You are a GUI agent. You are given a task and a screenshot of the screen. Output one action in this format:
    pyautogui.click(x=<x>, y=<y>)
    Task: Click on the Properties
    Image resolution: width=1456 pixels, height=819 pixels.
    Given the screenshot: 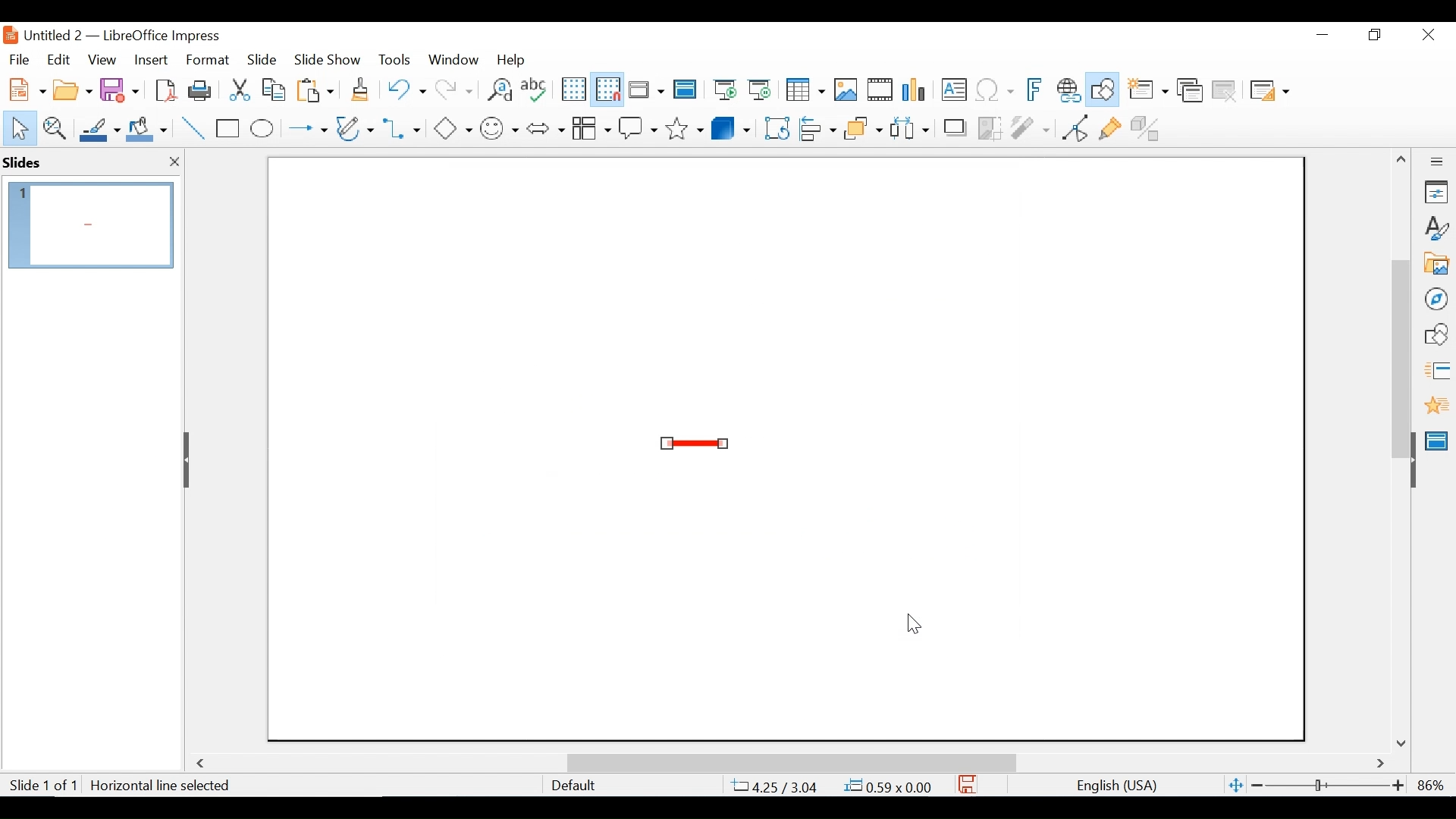 What is the action you would take?
    pyautogui.click(x=1436, y=192)
    